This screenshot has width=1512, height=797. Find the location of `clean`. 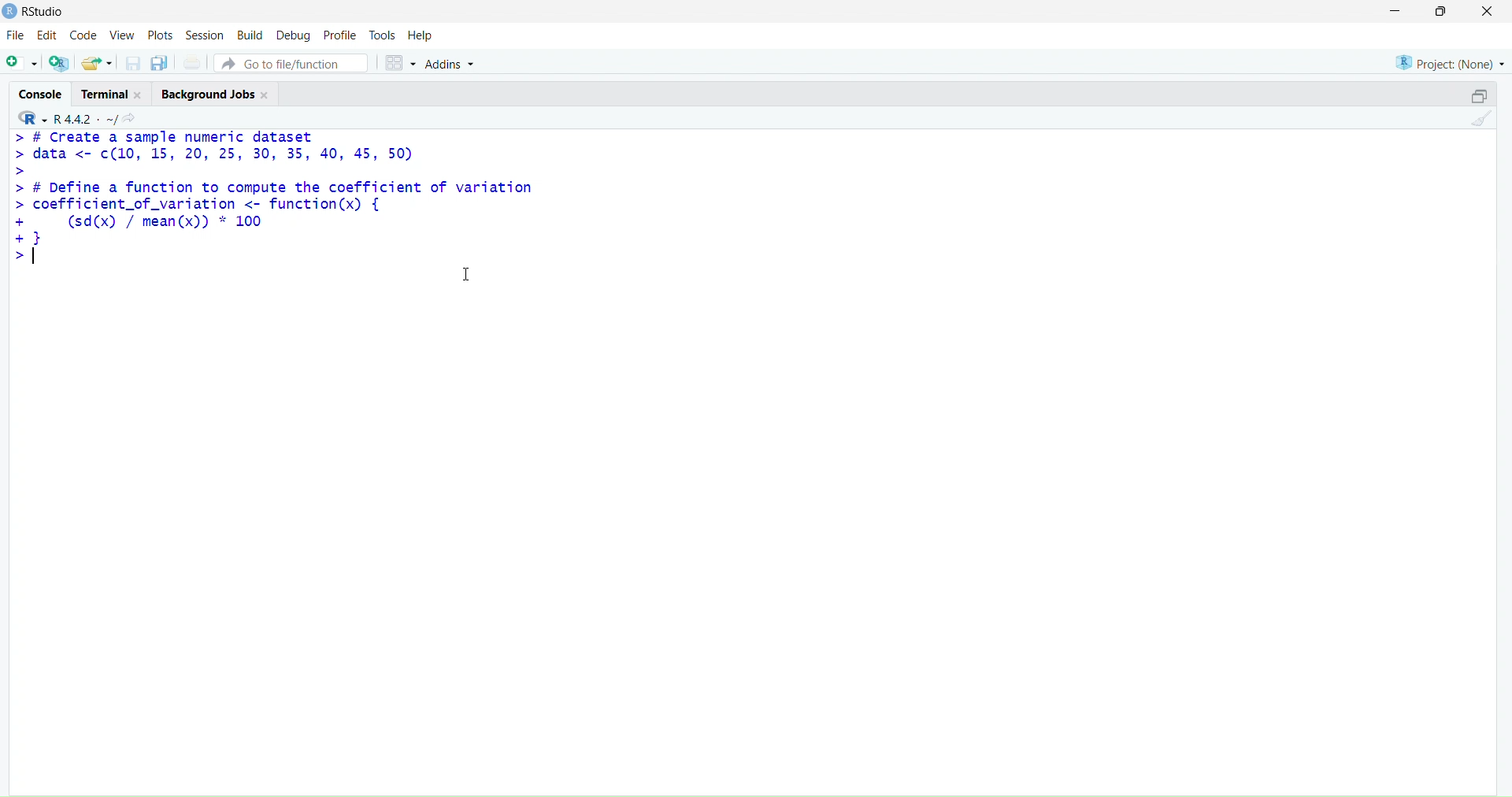

clean is located at coordinates (1483, 118).